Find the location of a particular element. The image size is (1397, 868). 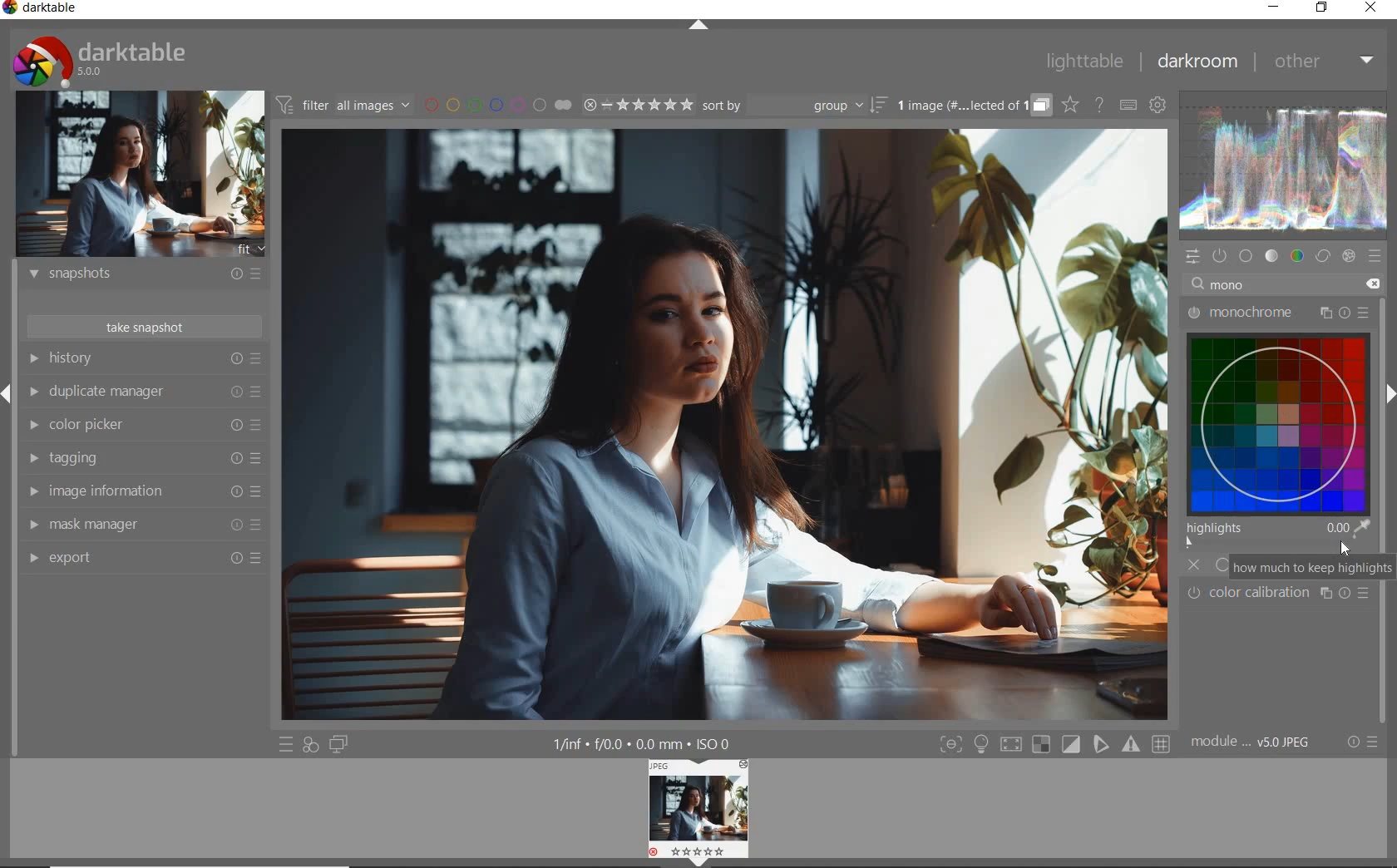

other is located at coordinates (1325, 62).